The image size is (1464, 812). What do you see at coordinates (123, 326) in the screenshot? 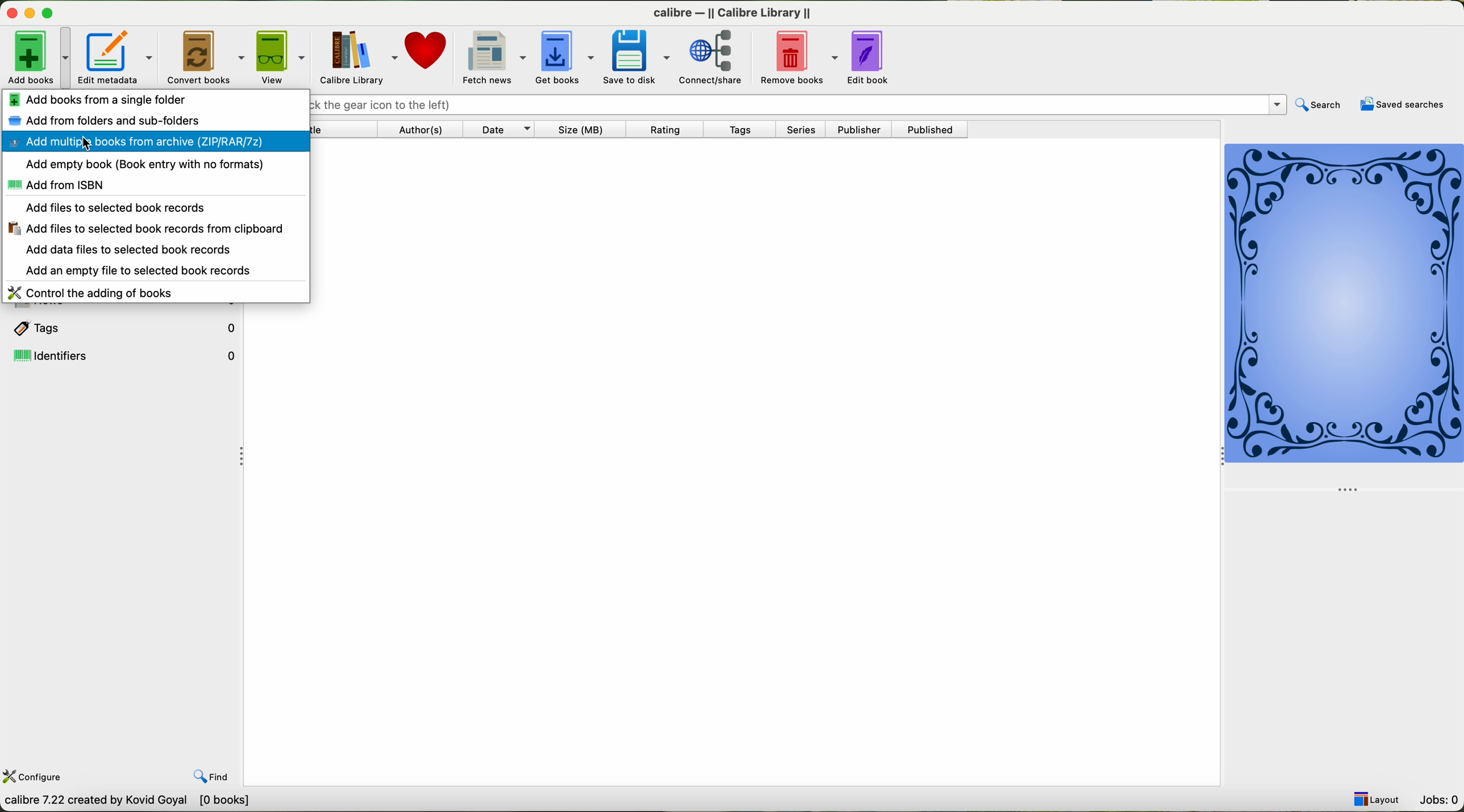
I see `tags` at bounding box center [123, 326].